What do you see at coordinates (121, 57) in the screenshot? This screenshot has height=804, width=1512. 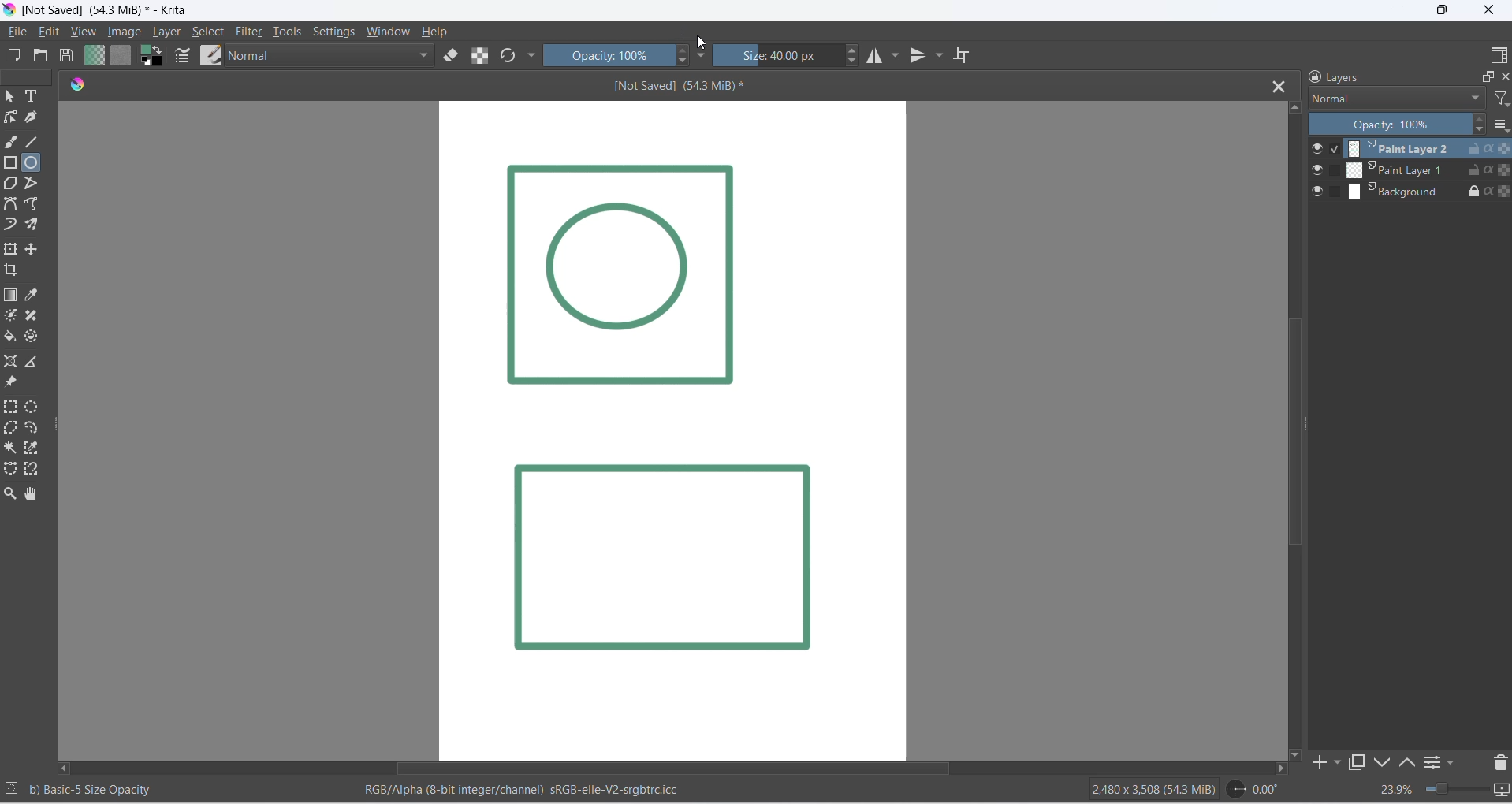 I see `fill patterns` at bounding box center [121, 57].